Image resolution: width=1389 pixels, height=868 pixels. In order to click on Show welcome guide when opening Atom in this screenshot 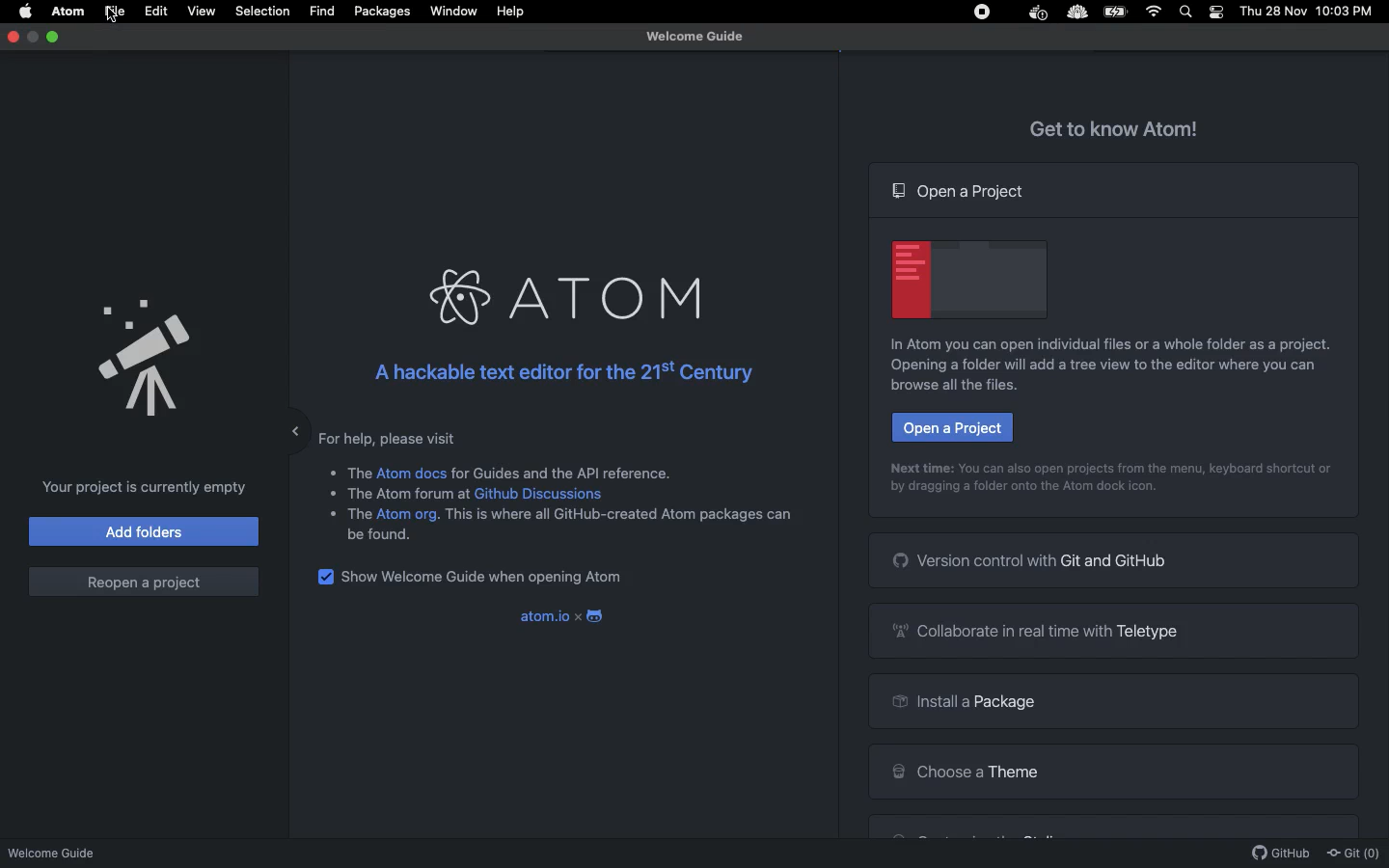, I will do `click(486, 579)`.